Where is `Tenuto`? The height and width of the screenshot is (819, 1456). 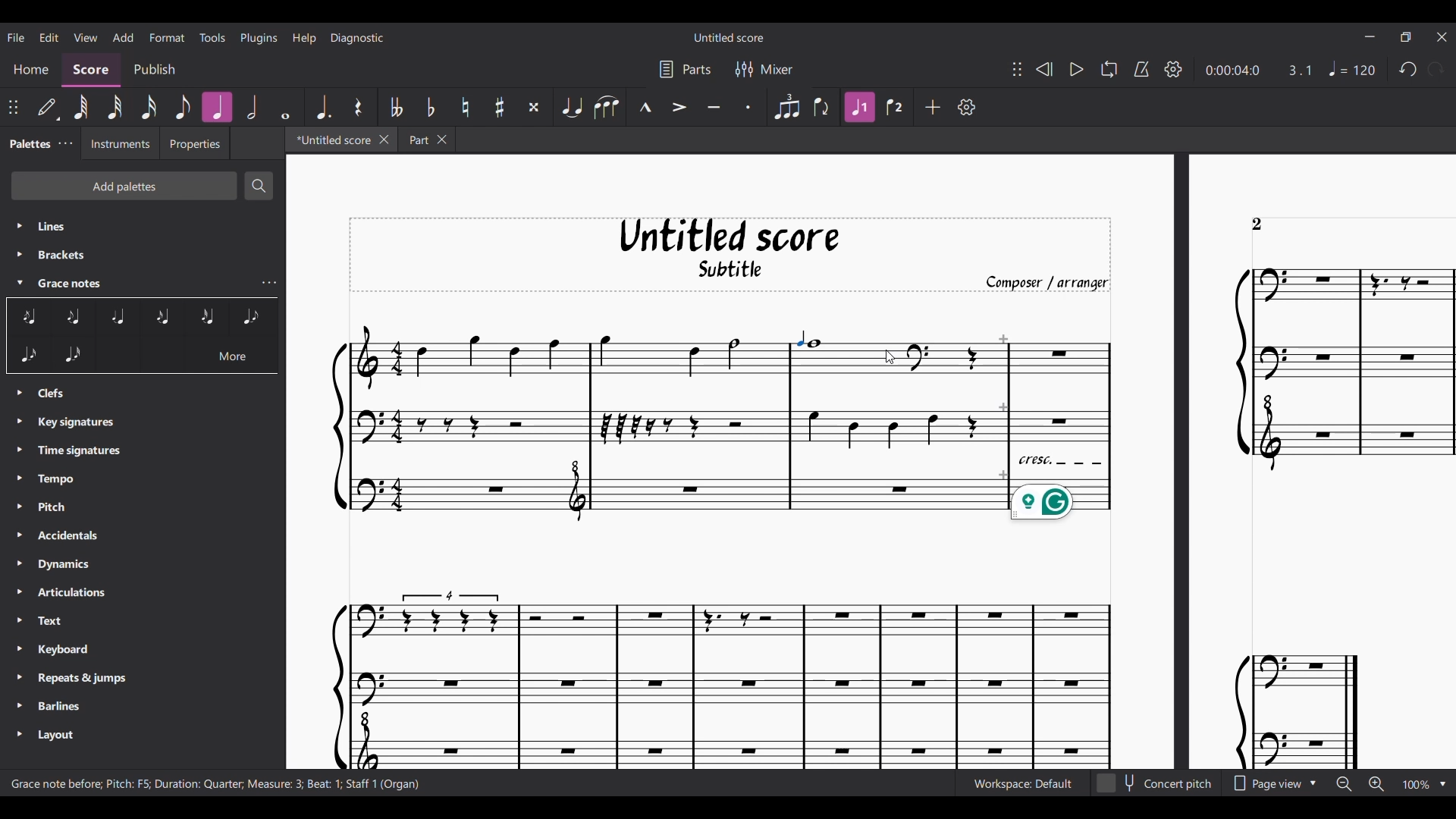 Tenuto is located at coordinates (714, 106).